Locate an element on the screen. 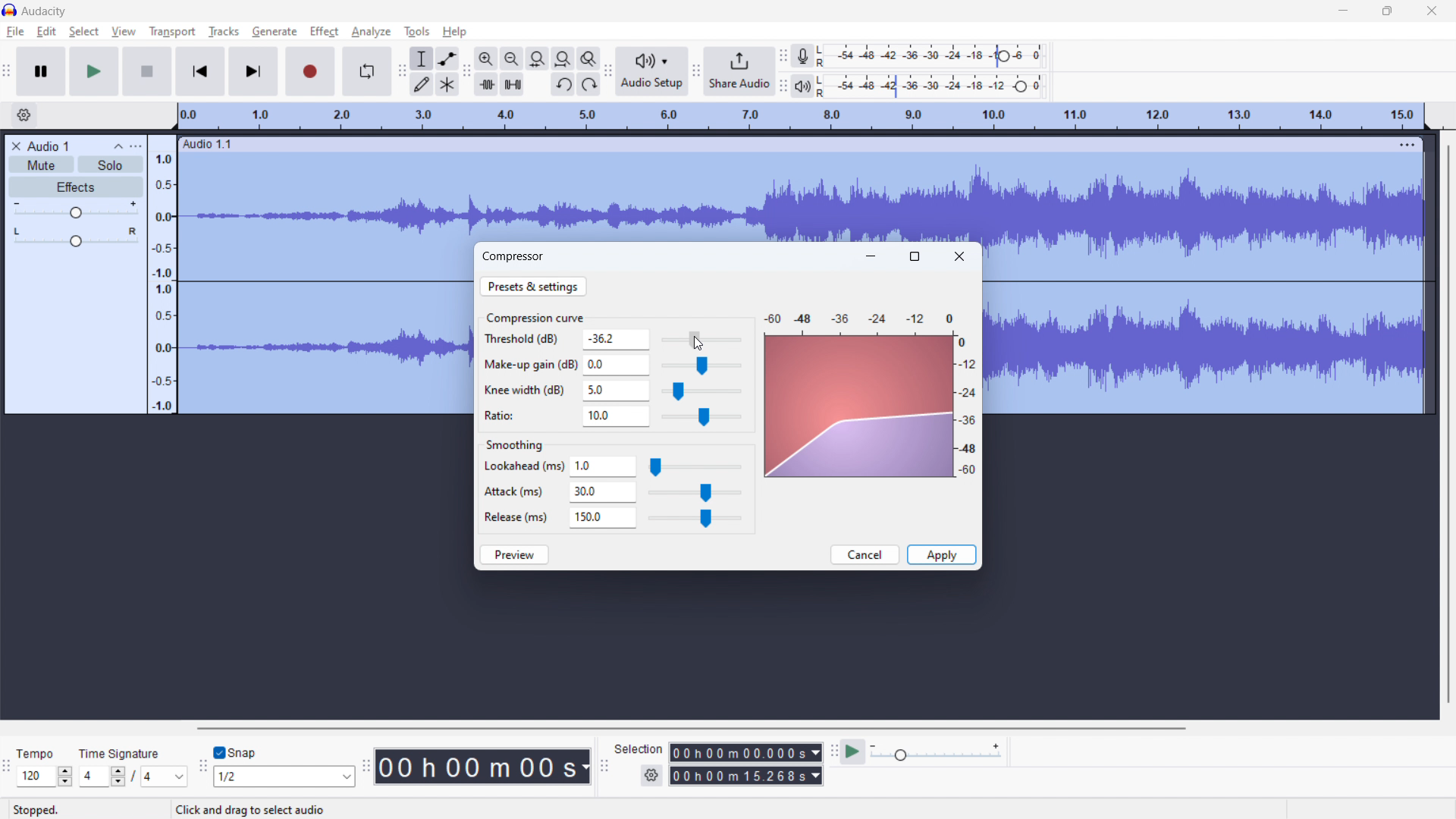 This screenshot has width=1456, height=819. play at speed toolbar is located at coordinates (833, 752).